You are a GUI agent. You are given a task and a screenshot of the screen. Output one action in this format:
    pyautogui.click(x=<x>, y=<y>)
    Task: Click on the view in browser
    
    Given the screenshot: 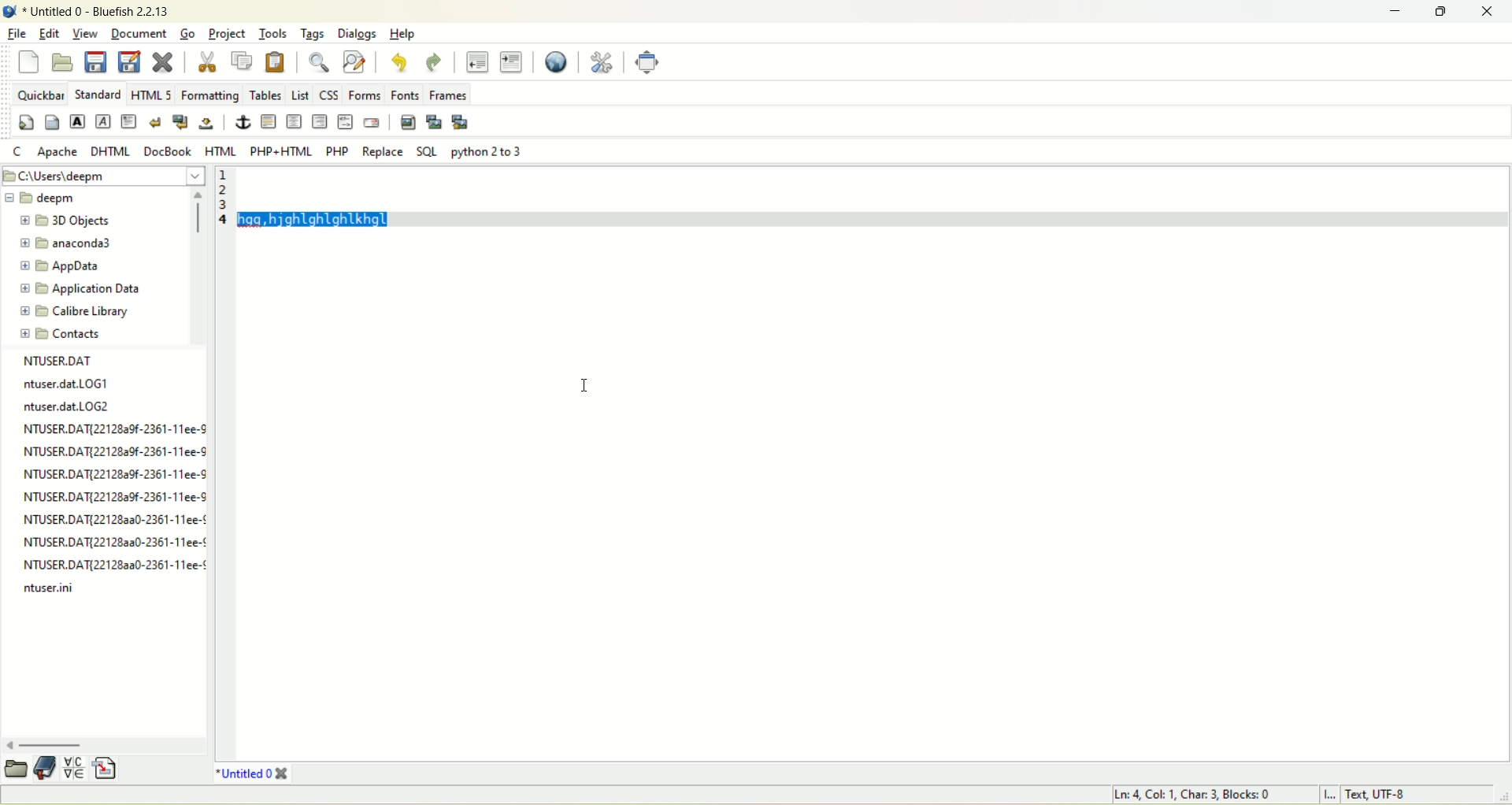 What is the action you would take?
    pyautogui.click(x=557, y=62)
    